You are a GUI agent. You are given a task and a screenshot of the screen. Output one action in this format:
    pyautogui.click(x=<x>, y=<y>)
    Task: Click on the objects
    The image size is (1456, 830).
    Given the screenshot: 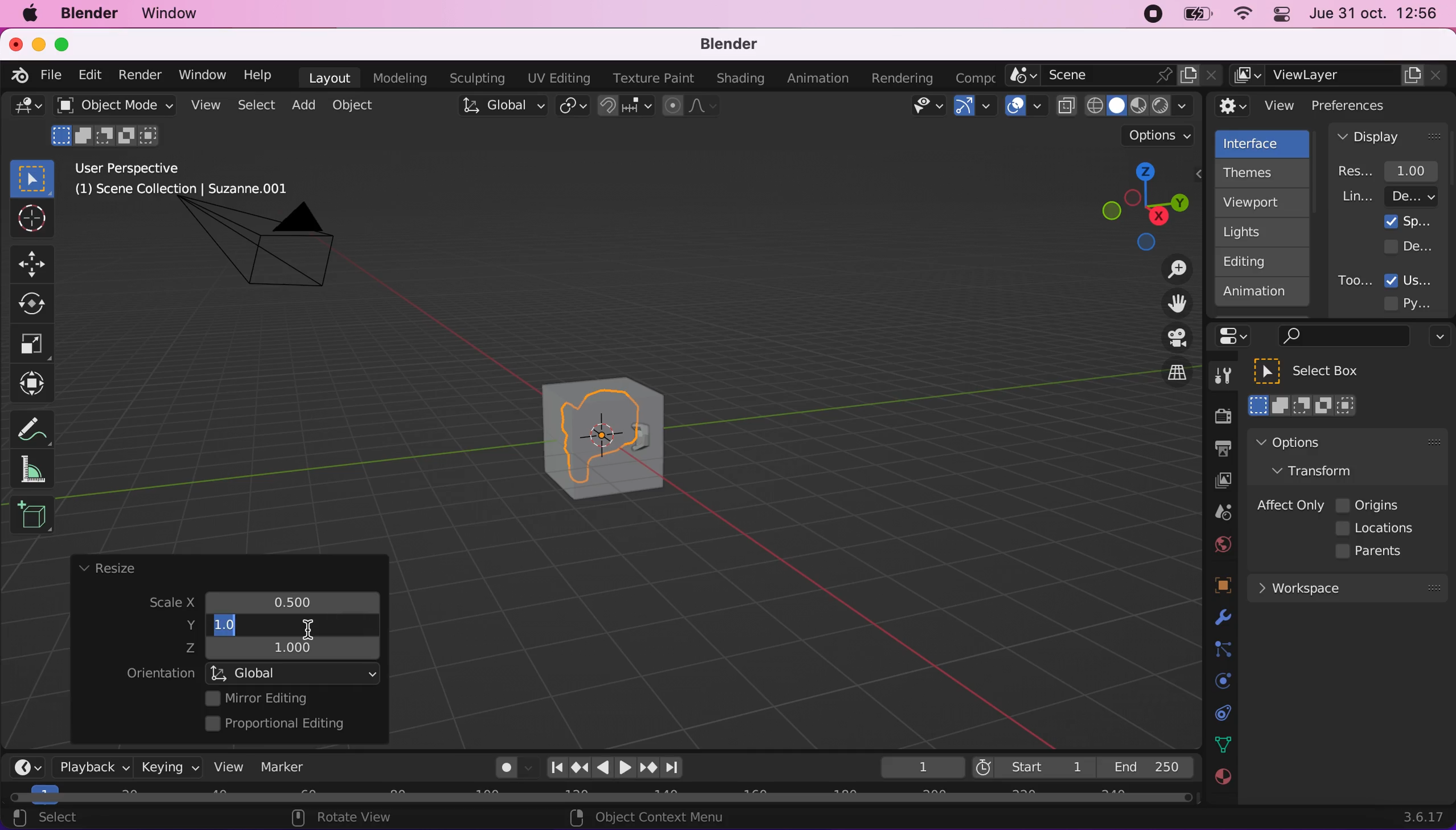 What is the action you would take?
    pyautogui.click(x=1209, y=587)
    